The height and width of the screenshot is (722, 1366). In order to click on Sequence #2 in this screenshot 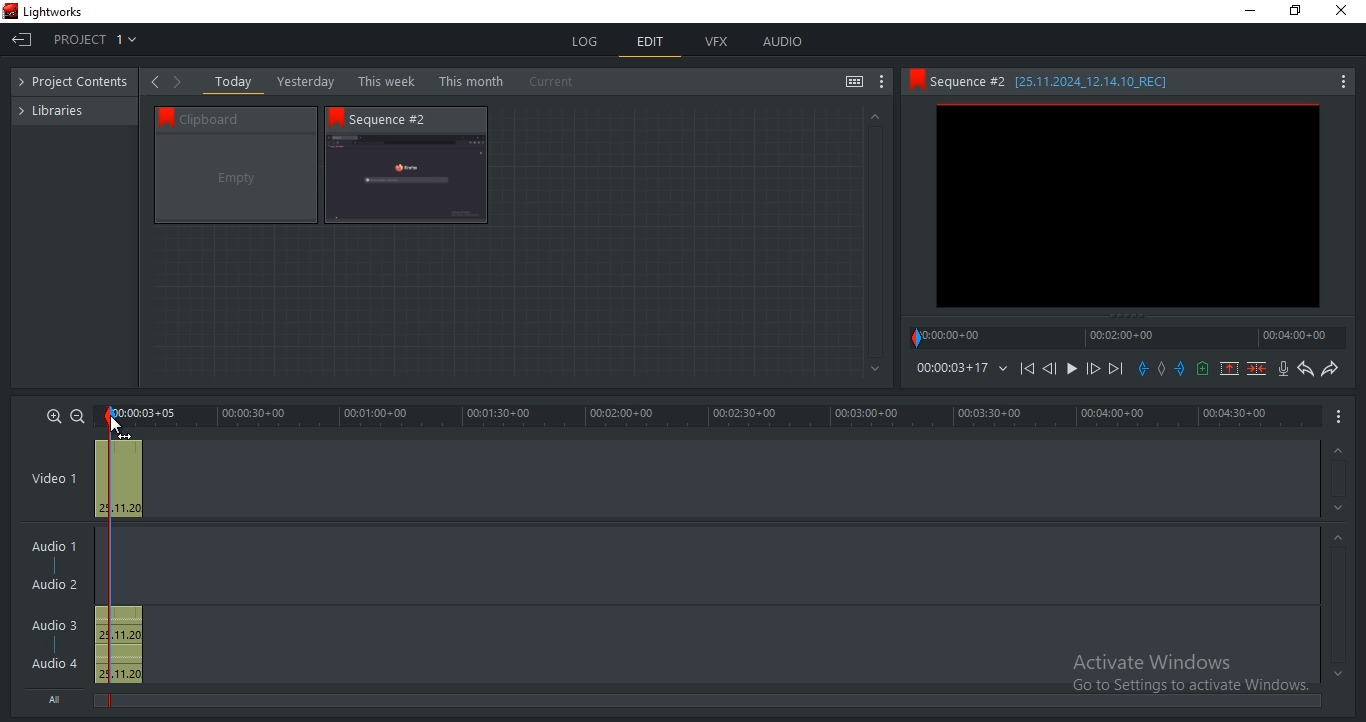, I will do `click(399, 119)`.